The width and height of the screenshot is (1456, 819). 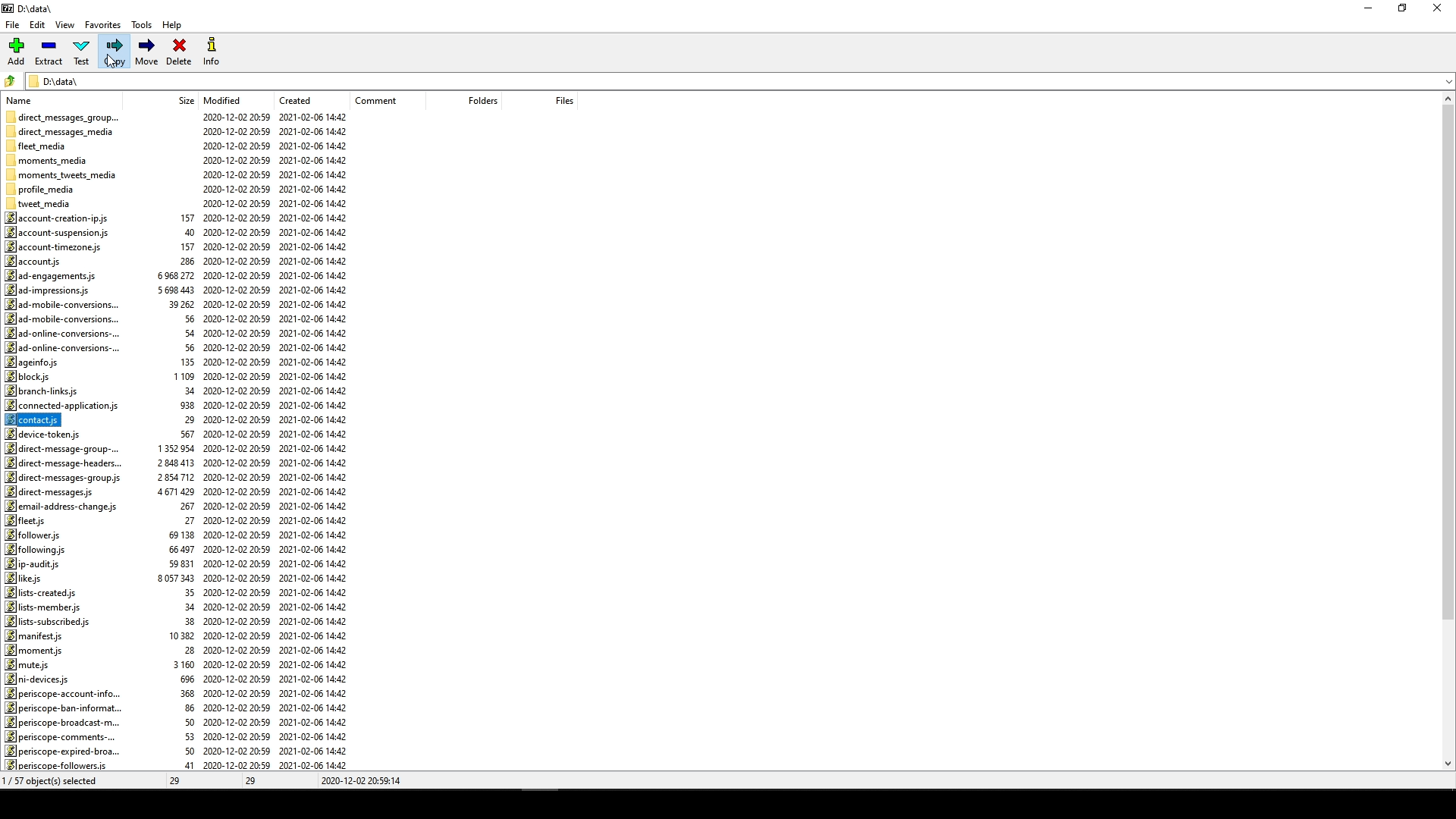 What do you see at coordinates (58, 231) in the screenshot?
I see `account-suspension.js` at bounding box center [58, 231].